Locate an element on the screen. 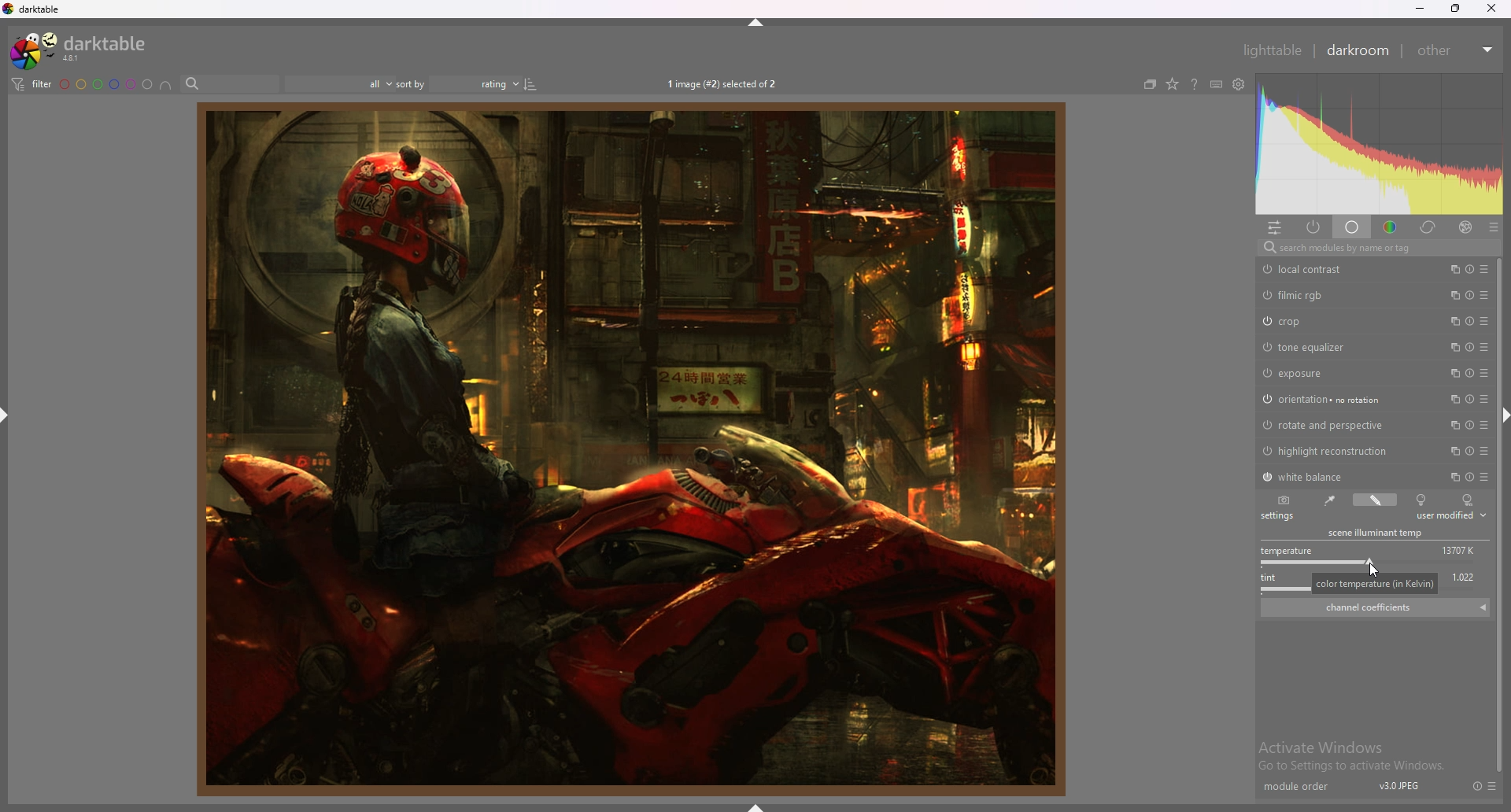  help is located at coordinates (1195, 84).